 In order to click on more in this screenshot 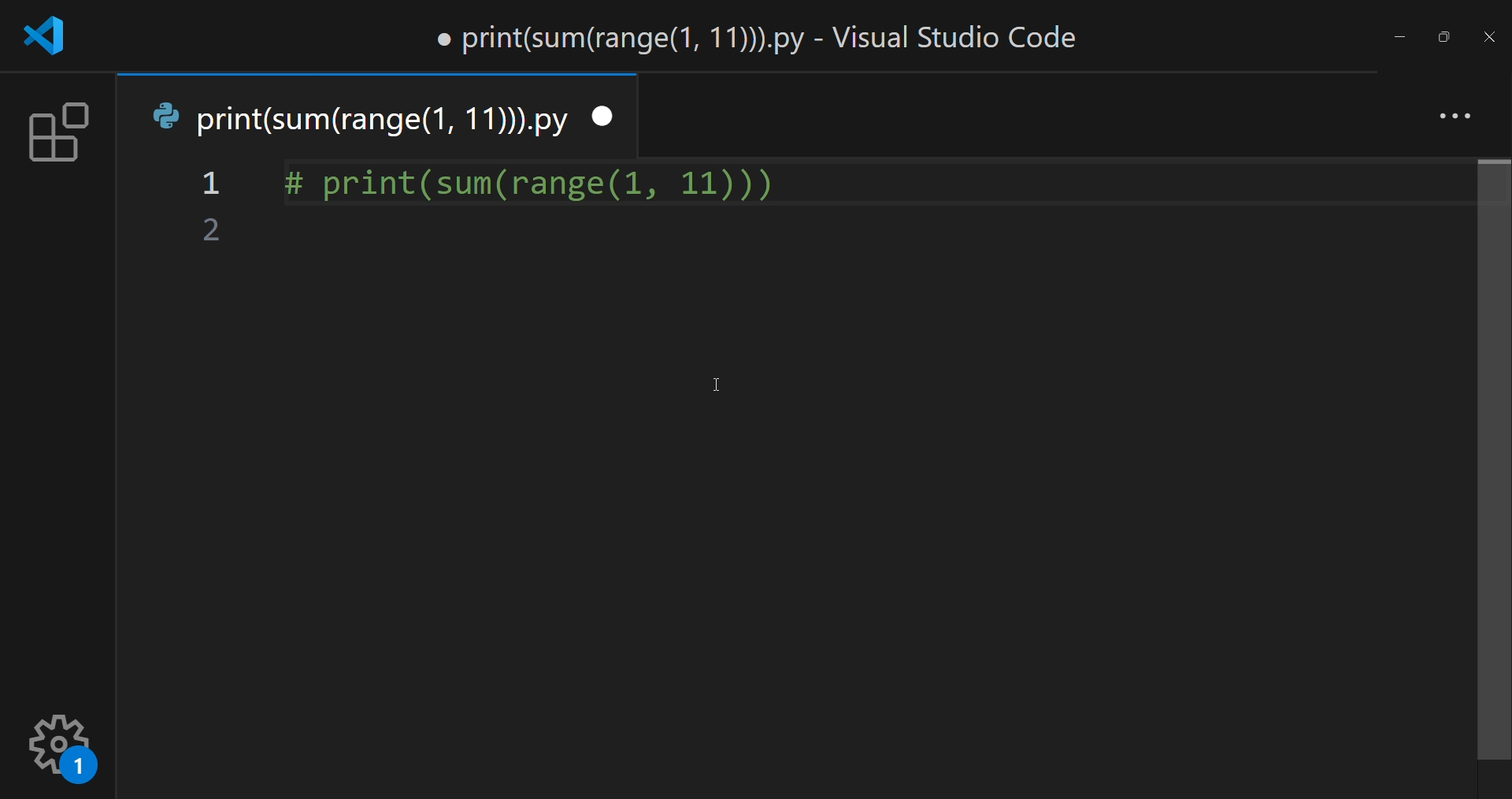, I will do `click(1450, 113)`.